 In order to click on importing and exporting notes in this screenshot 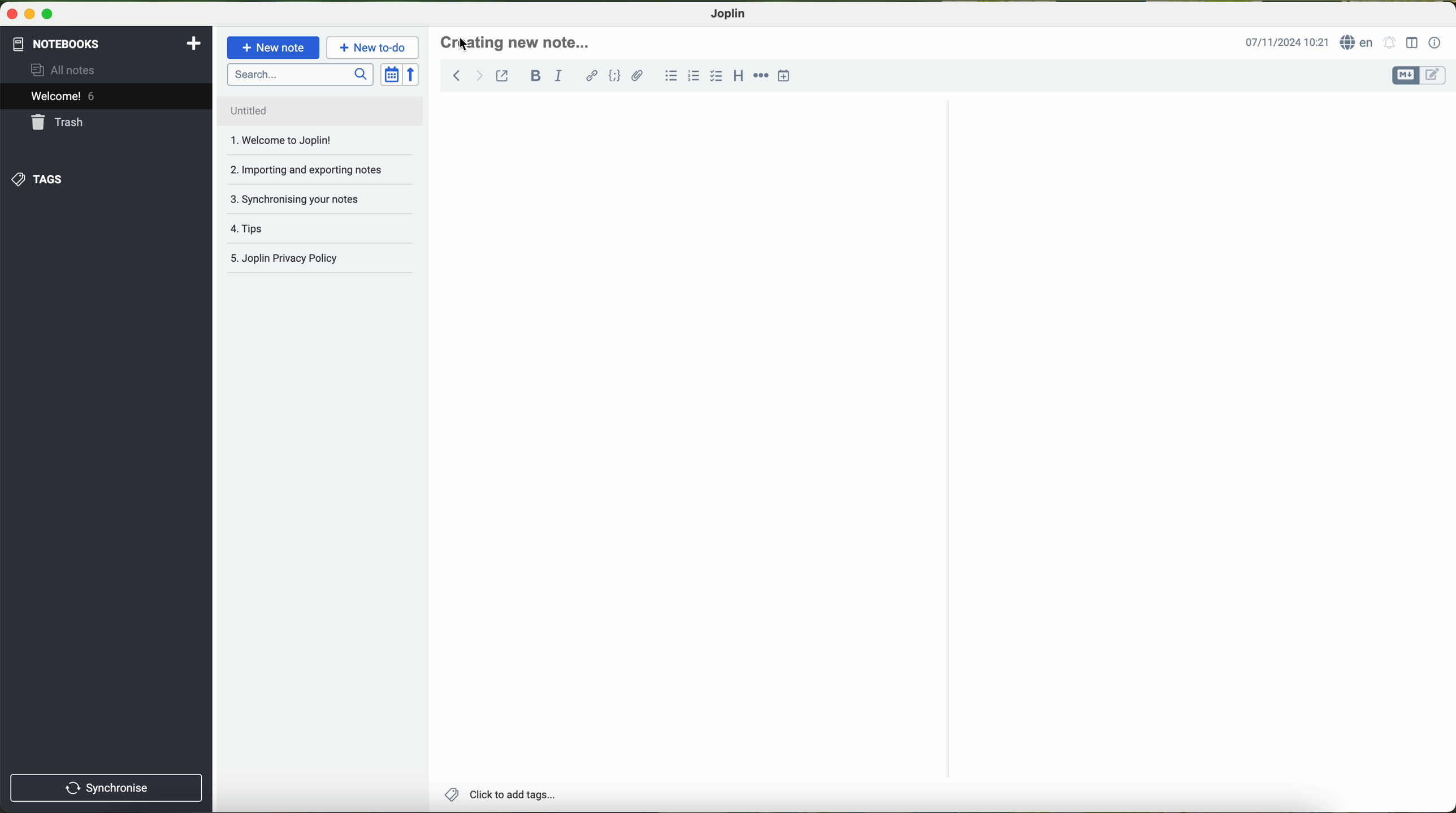, I will do `click(319, 174)`.